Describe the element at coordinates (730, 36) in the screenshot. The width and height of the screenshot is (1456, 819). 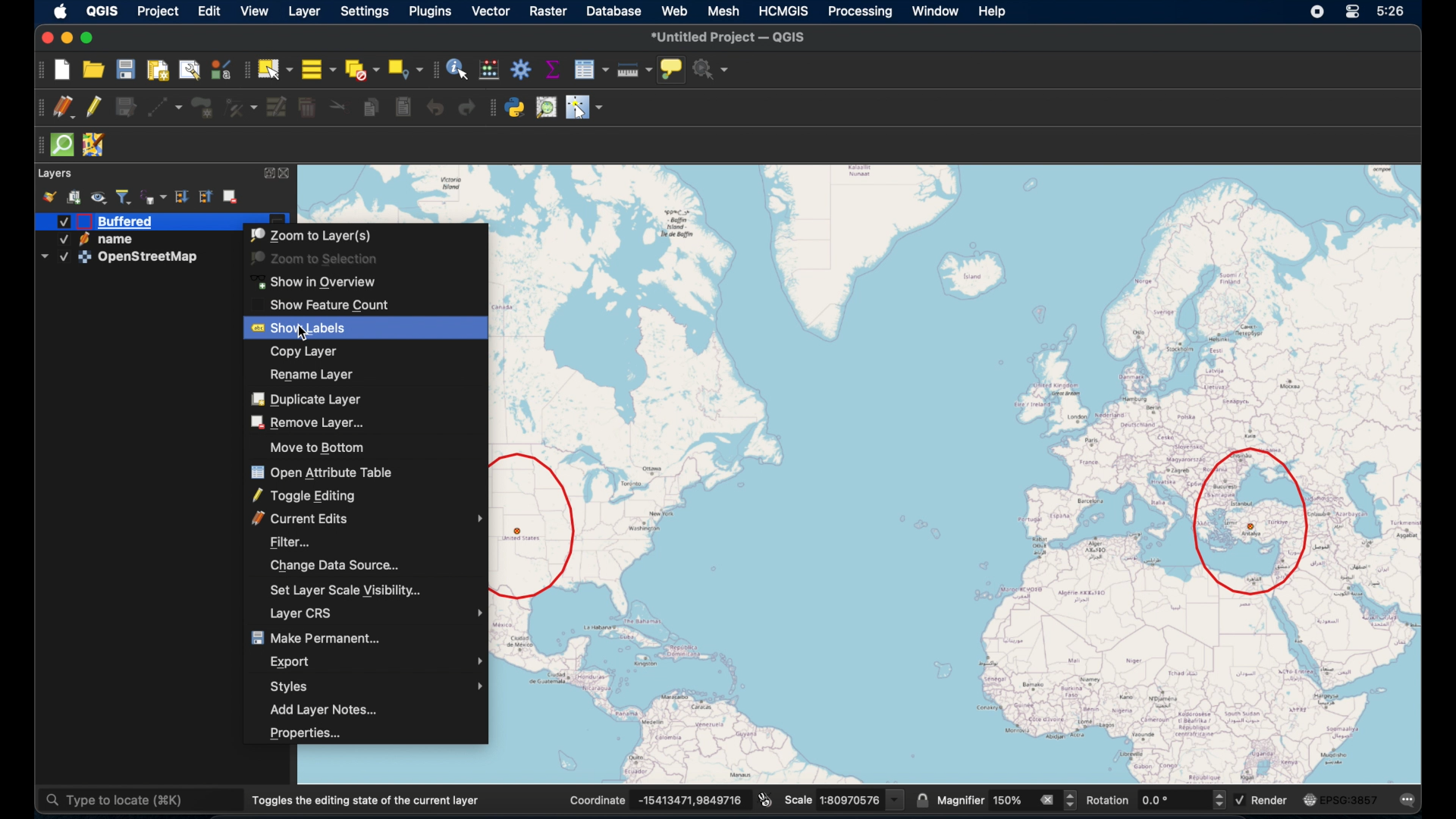
I see `untitled project - QGIS` at that location.